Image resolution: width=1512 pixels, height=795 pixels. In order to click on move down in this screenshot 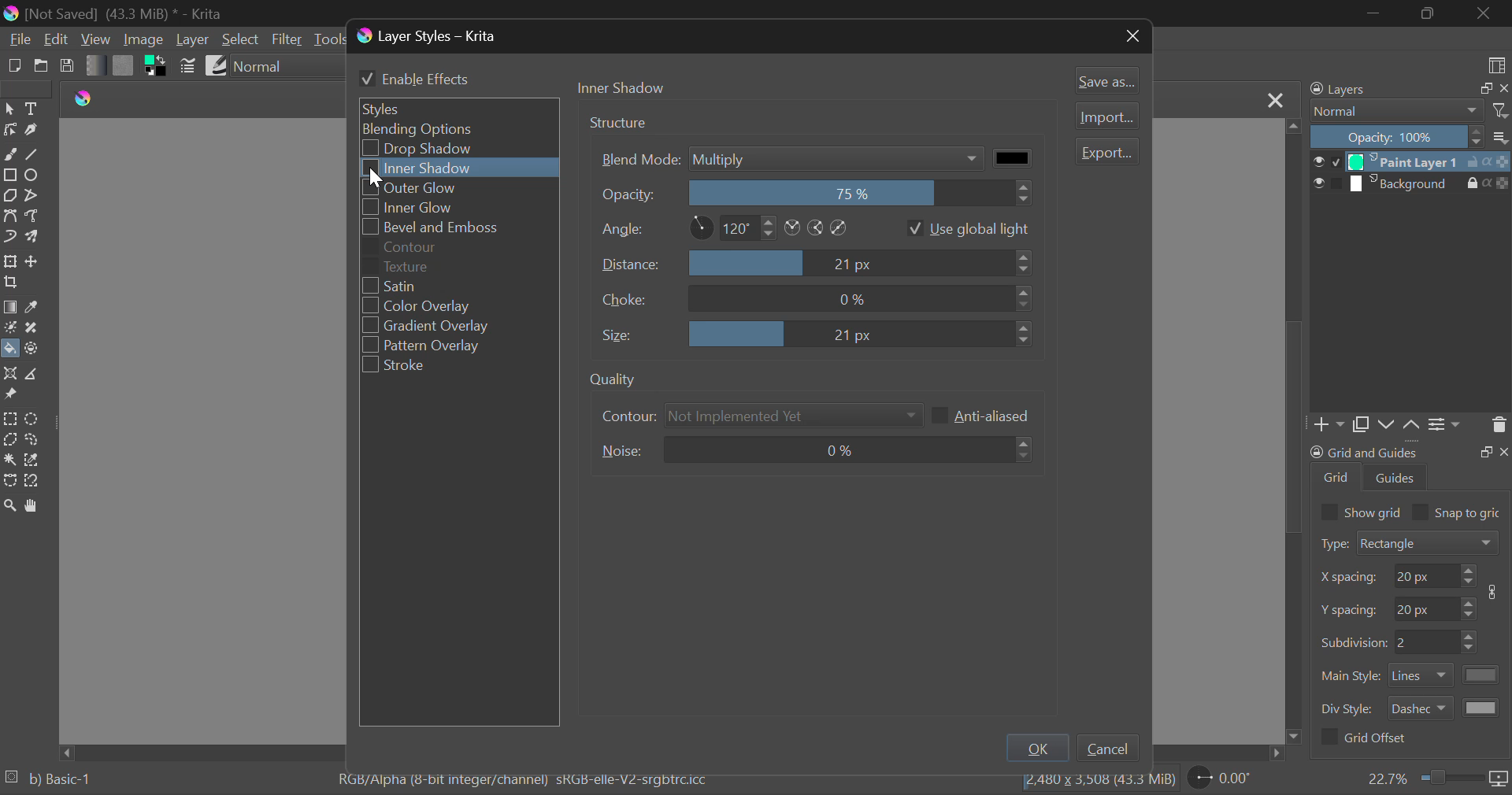, I will do `click(1295, 733)`.